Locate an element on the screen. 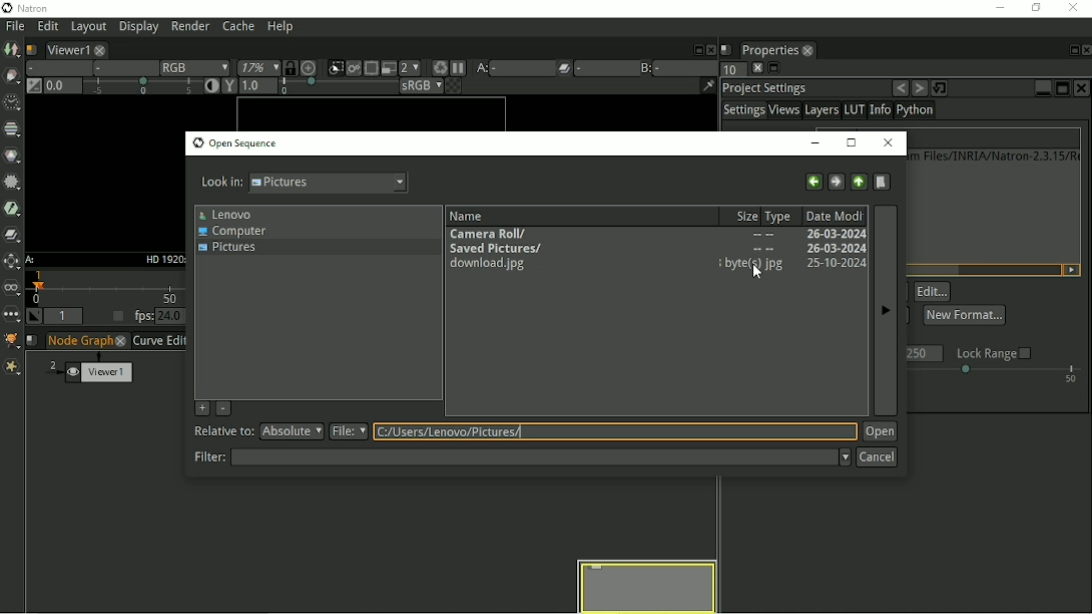 The width and height of the screenshot is (1092, 614). 26-03-2024 is located at coordinates (832, 263).